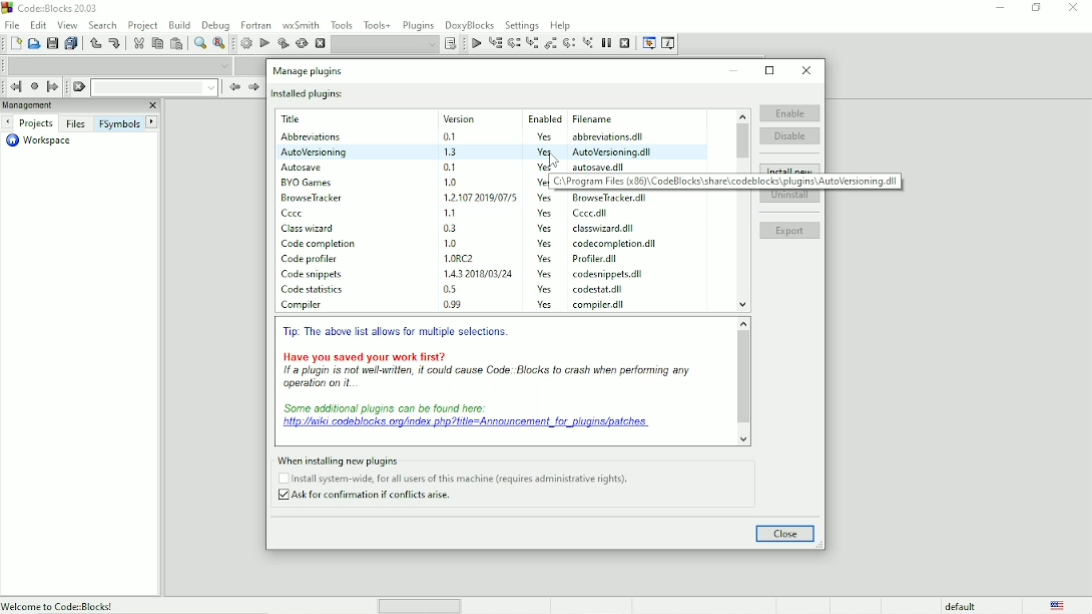 Image resolution: width=1092 pixels, height=614 pixels. I want to click on Ask for confirmation if conflicts arise., so click(369, 497).